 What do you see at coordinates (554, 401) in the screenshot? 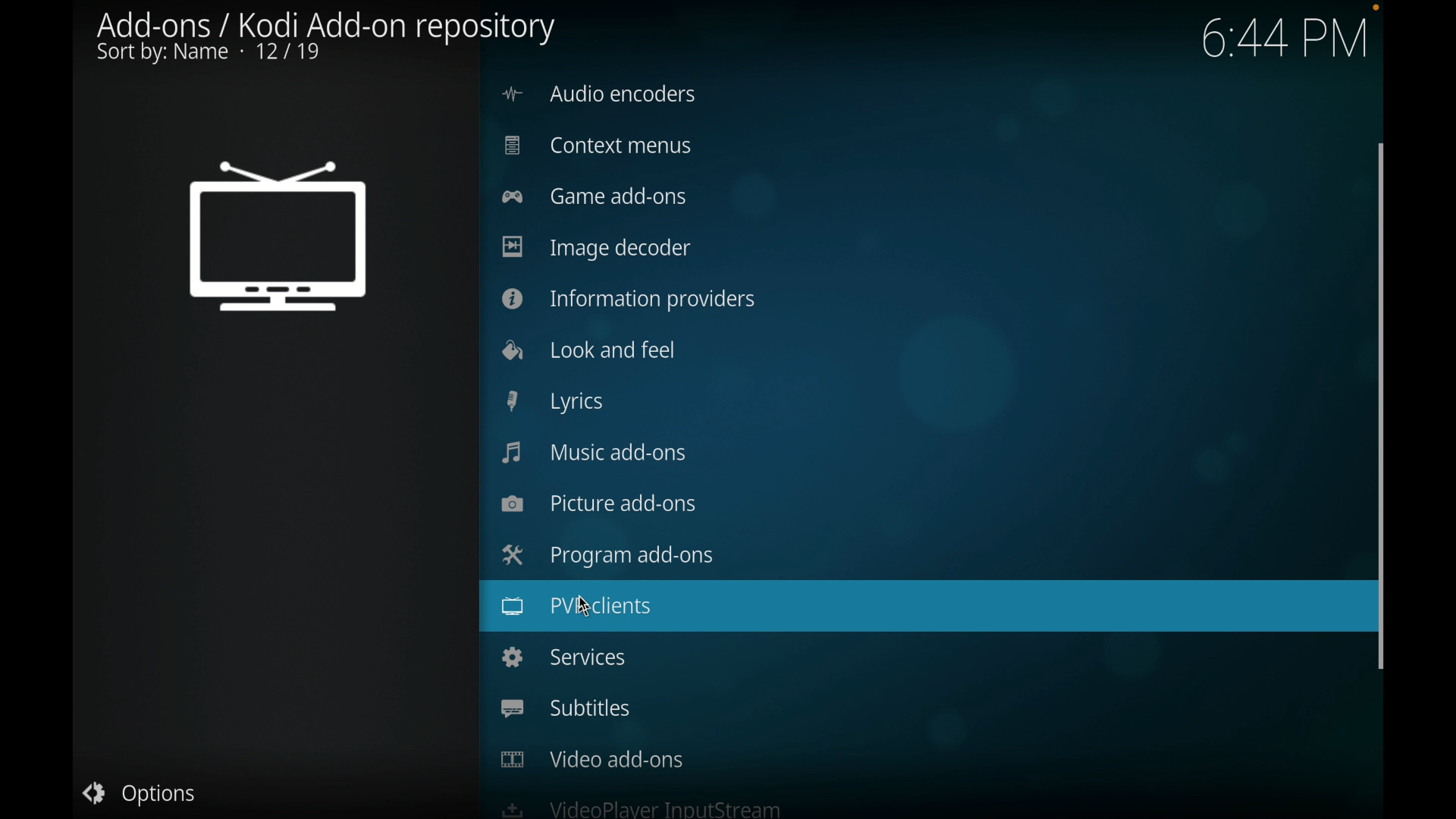
I see `lyrics` at bounding box center [554, 401].